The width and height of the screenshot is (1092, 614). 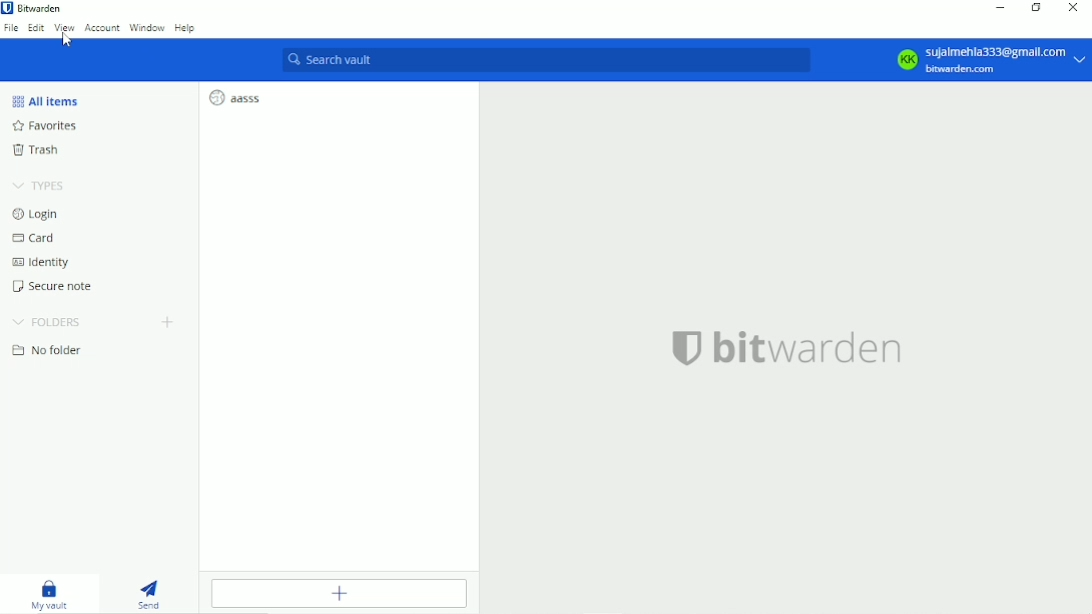 What do you see at coordinates (187, 29) in the screenshot?
I see `Help` at bounding box center [187, 29].